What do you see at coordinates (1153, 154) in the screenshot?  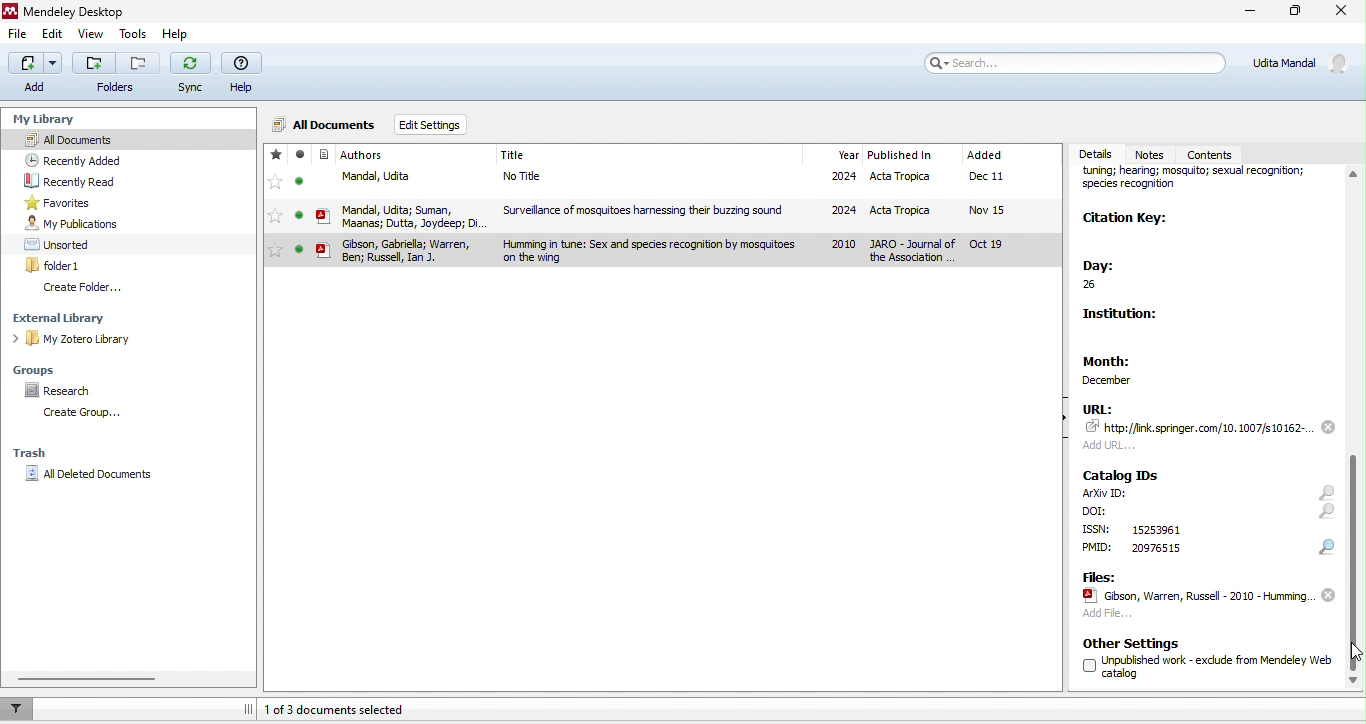 I see `notes` at bounding box center [1153, 154].